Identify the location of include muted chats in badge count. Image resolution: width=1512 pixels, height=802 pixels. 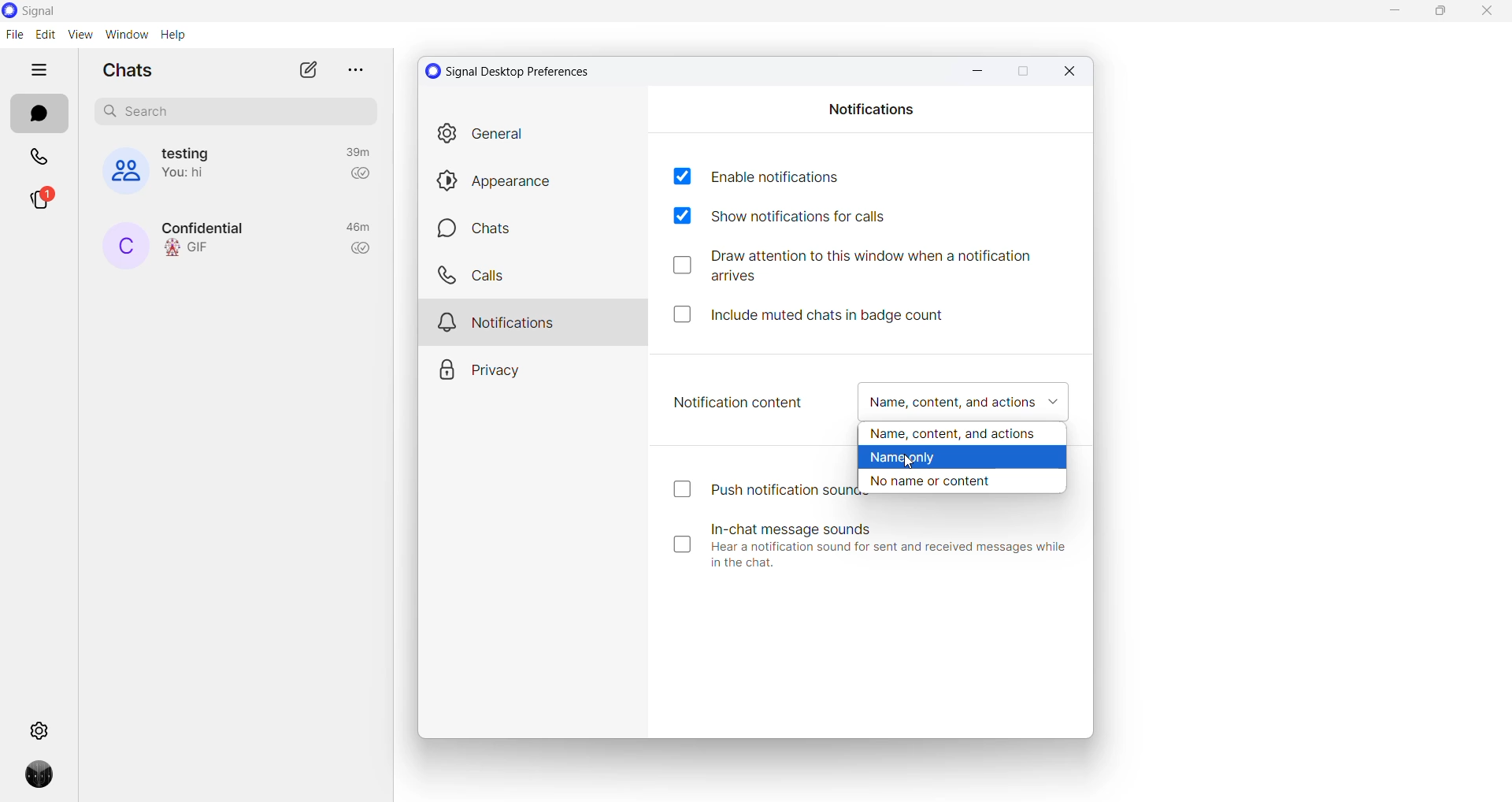
(820, 313).